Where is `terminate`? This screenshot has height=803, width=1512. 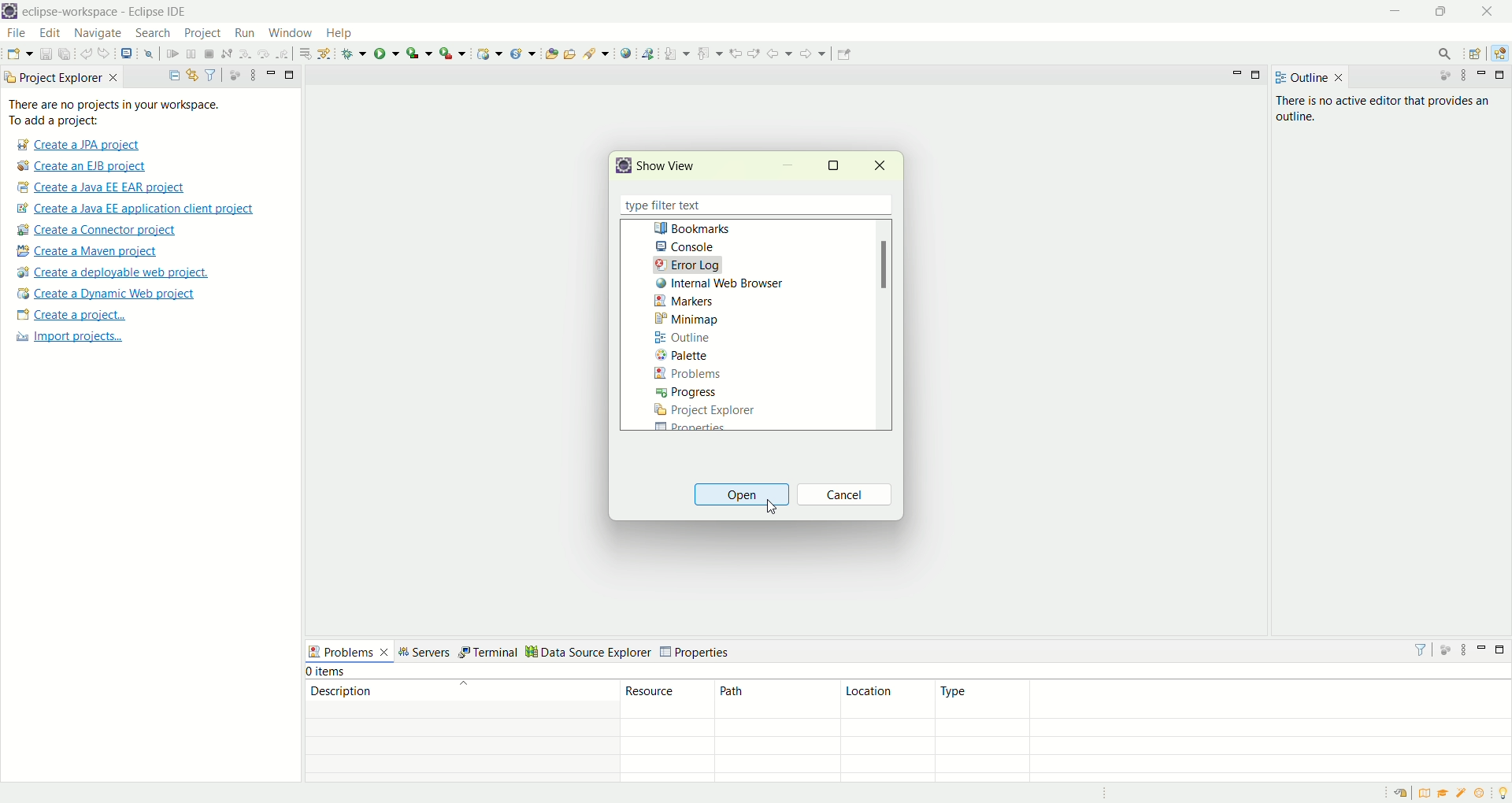 terminate is located at coordinates (209, 53).